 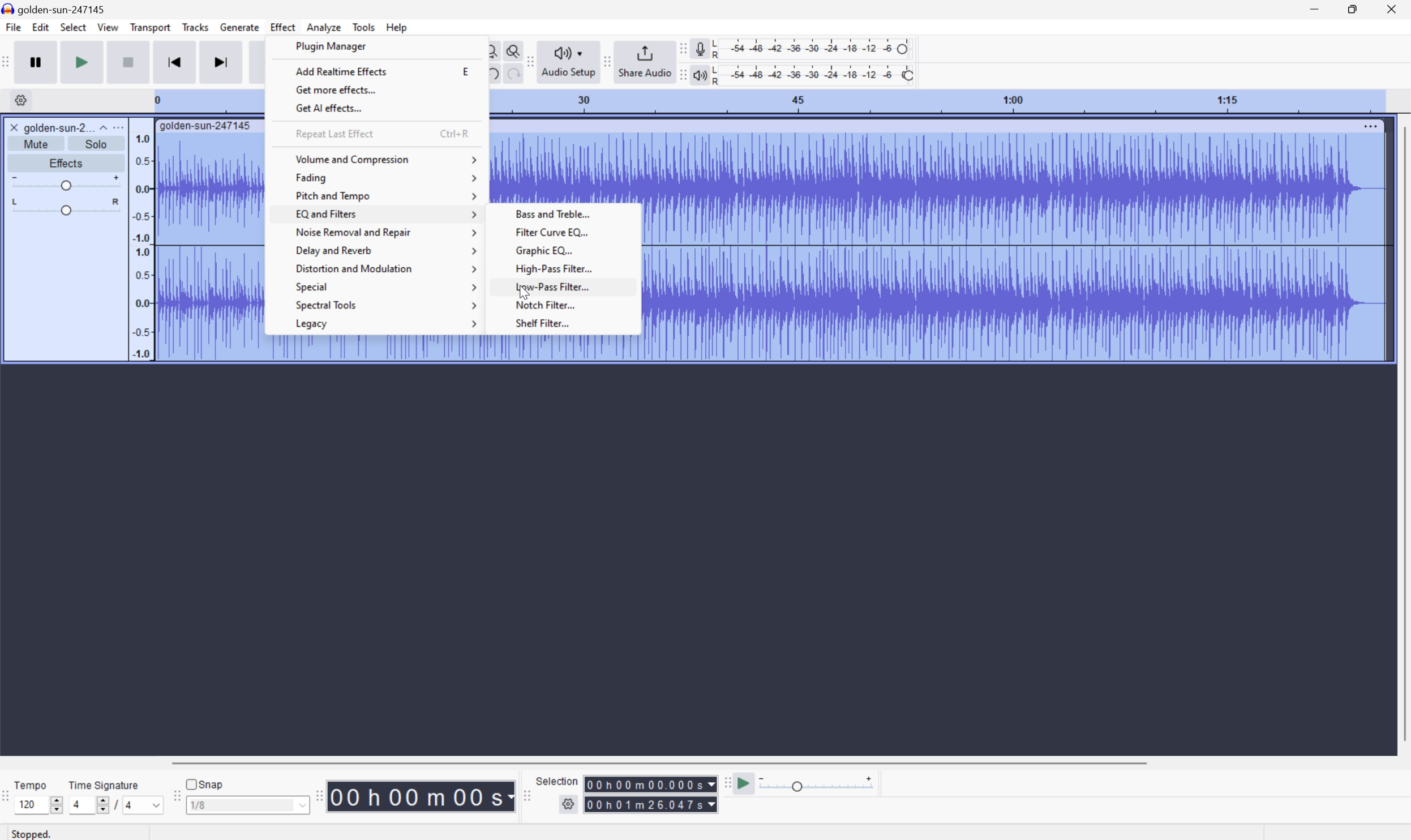 I want to click on Shelf Filter..., so click(x=574, y=324).